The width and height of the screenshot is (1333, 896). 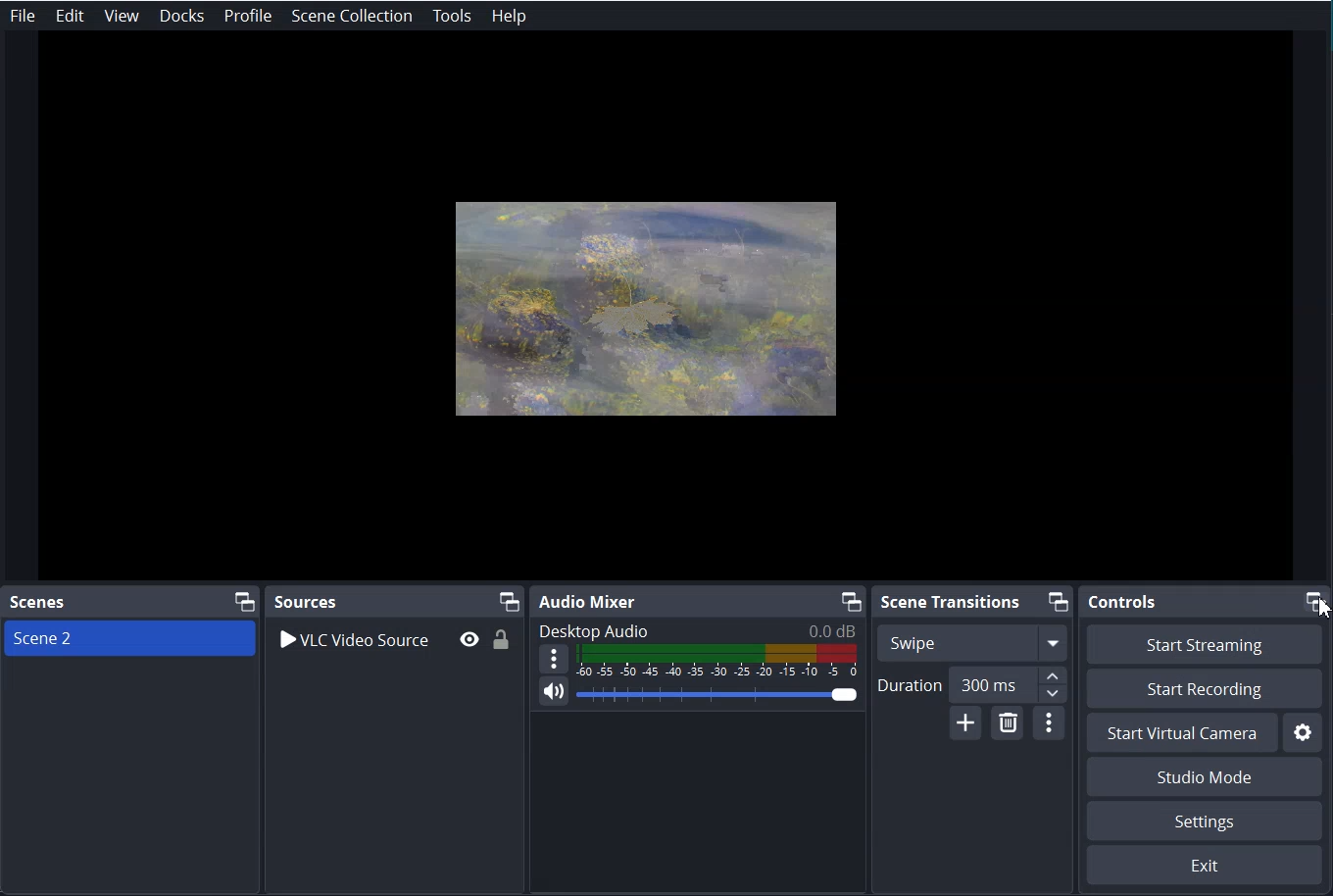 What do you see at coordinates (122, 16) in the screenshot?
I see `View` at bounding box center [122, 16].